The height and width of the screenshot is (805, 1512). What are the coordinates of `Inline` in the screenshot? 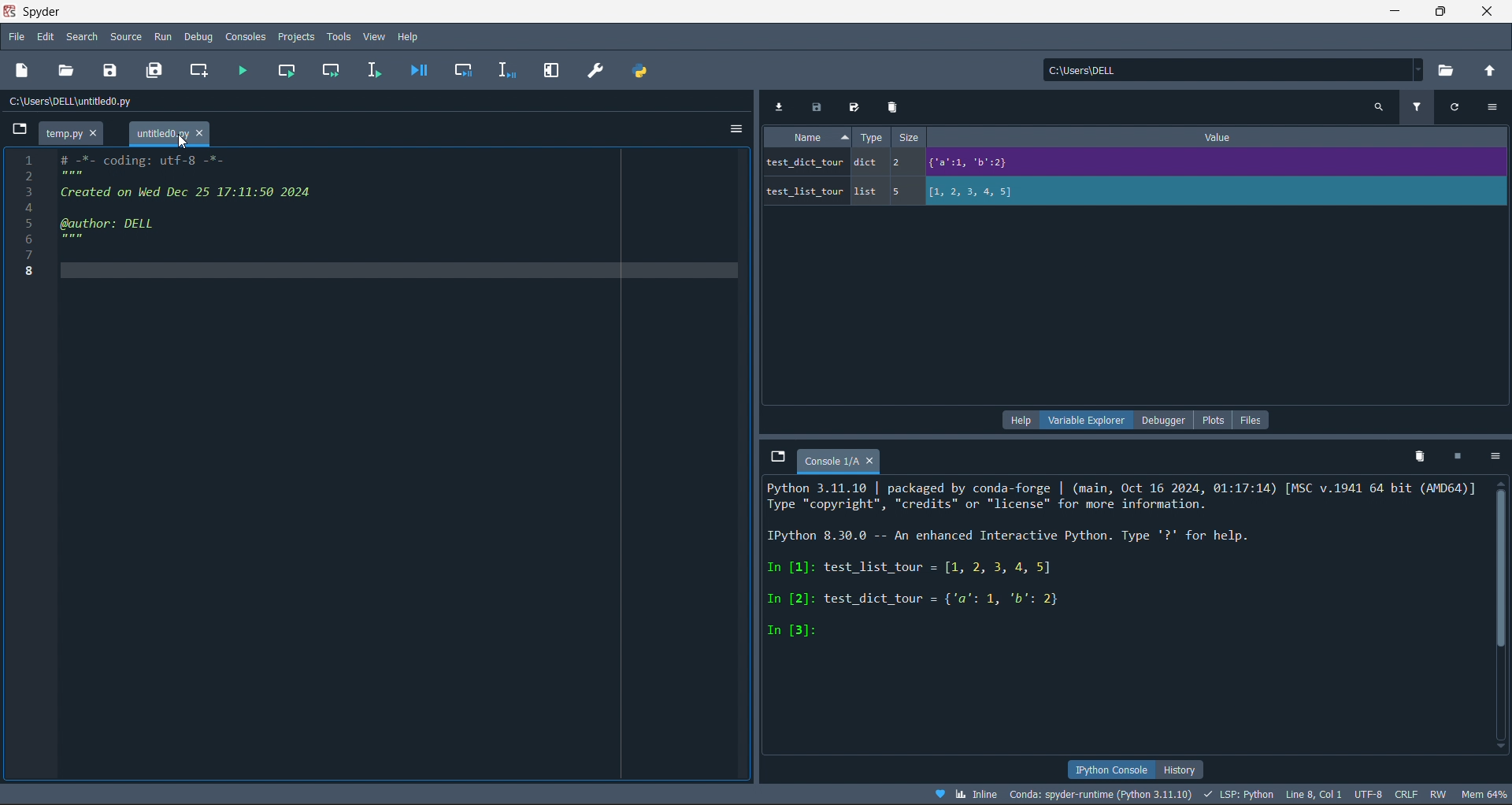 It's located at (967, 793).